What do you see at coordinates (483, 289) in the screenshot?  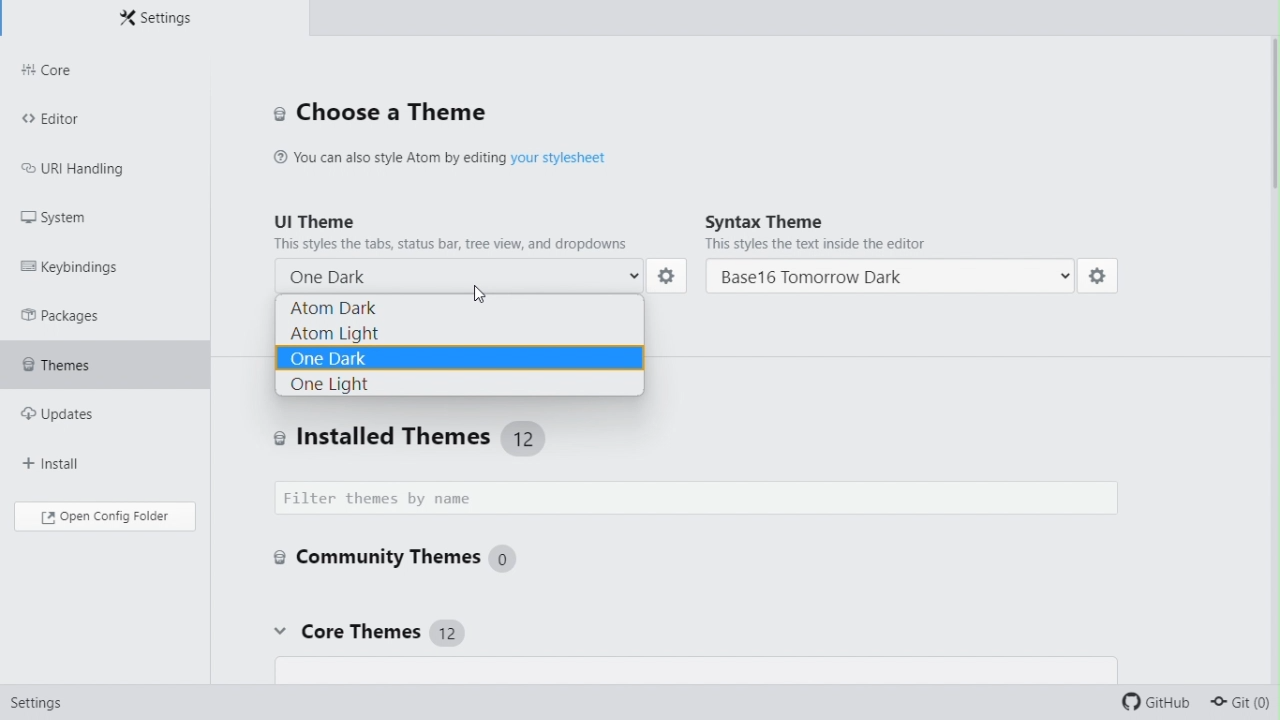 I see `cursor` at bounding box center [483, 289].